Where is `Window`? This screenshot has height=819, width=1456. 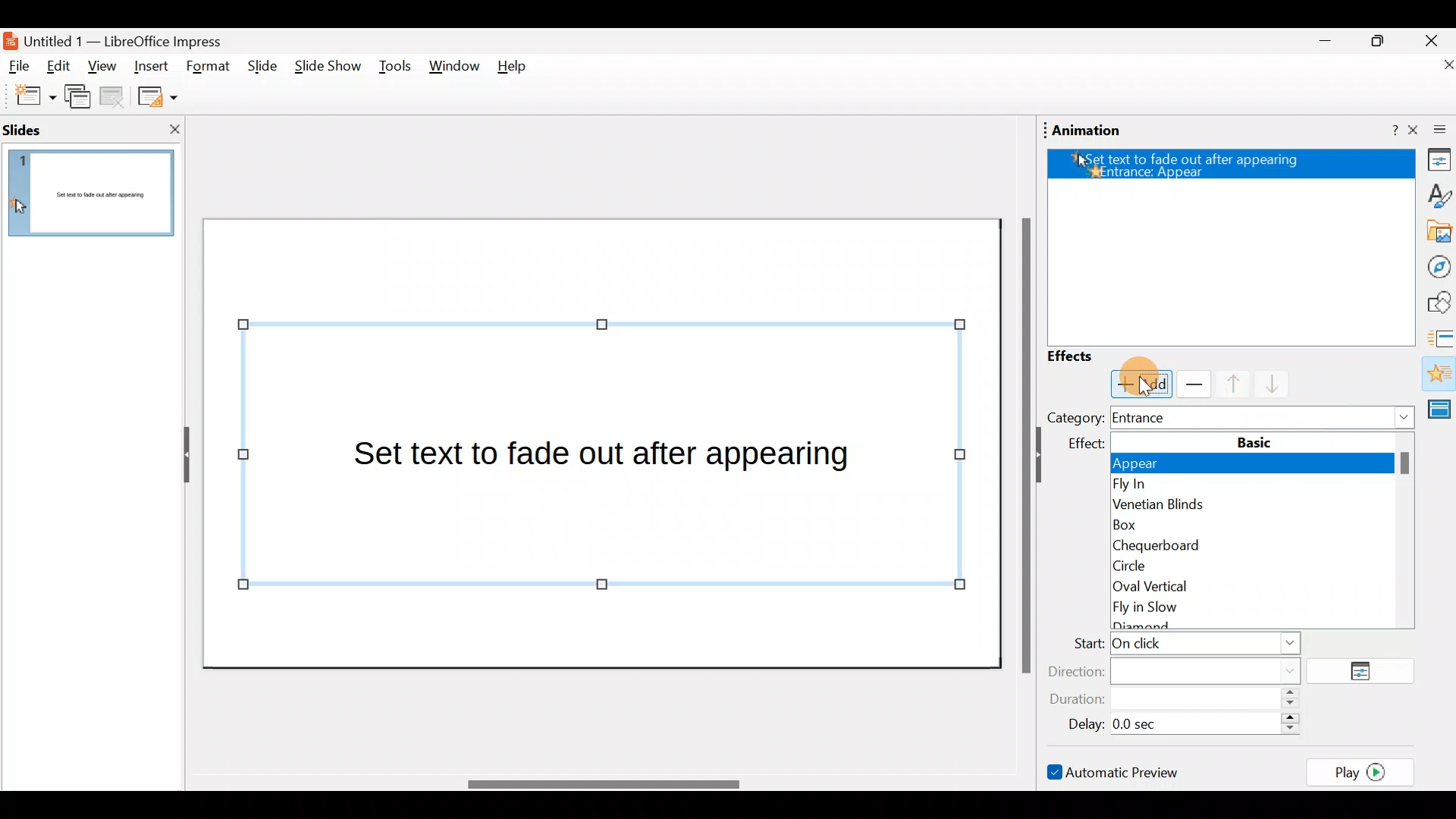 Window is located at coordinates (455, 70).